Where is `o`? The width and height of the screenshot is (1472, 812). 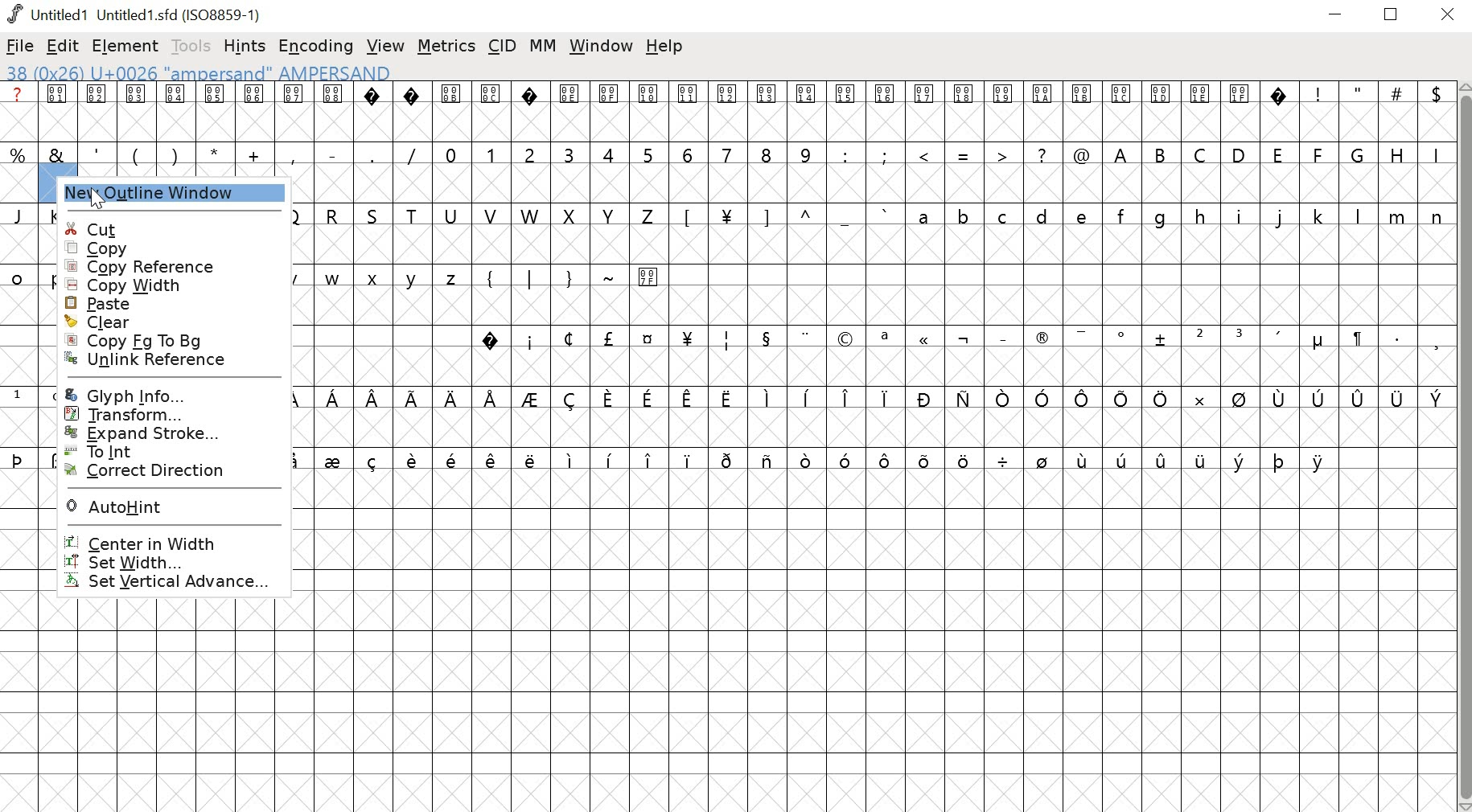
o is located at coordinates (18, 276).